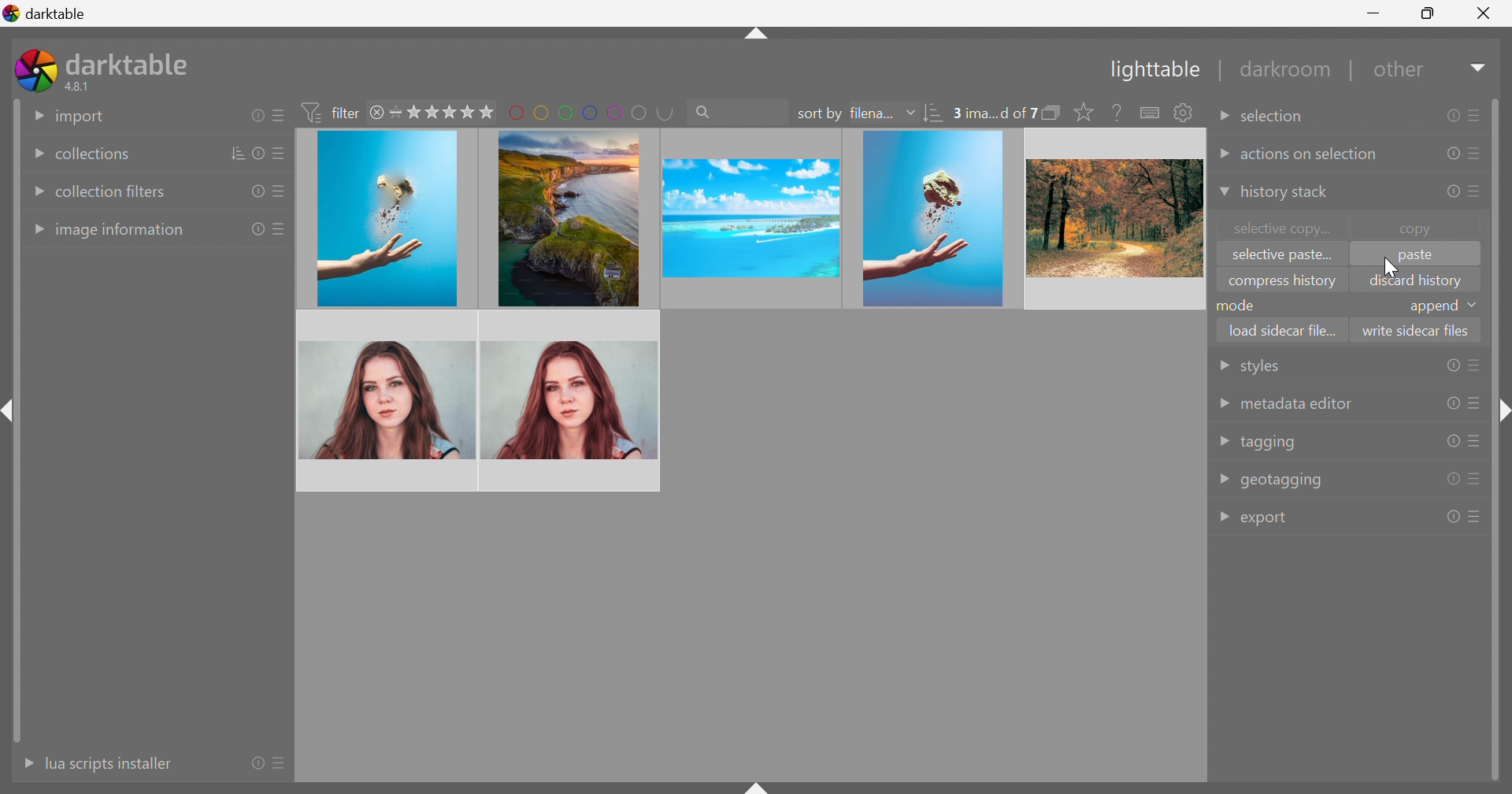 The width and height of the screenshot is (1512, 794). Describe the element at coordinates (257, 230) in the screenshot. I see `reset` at that location.